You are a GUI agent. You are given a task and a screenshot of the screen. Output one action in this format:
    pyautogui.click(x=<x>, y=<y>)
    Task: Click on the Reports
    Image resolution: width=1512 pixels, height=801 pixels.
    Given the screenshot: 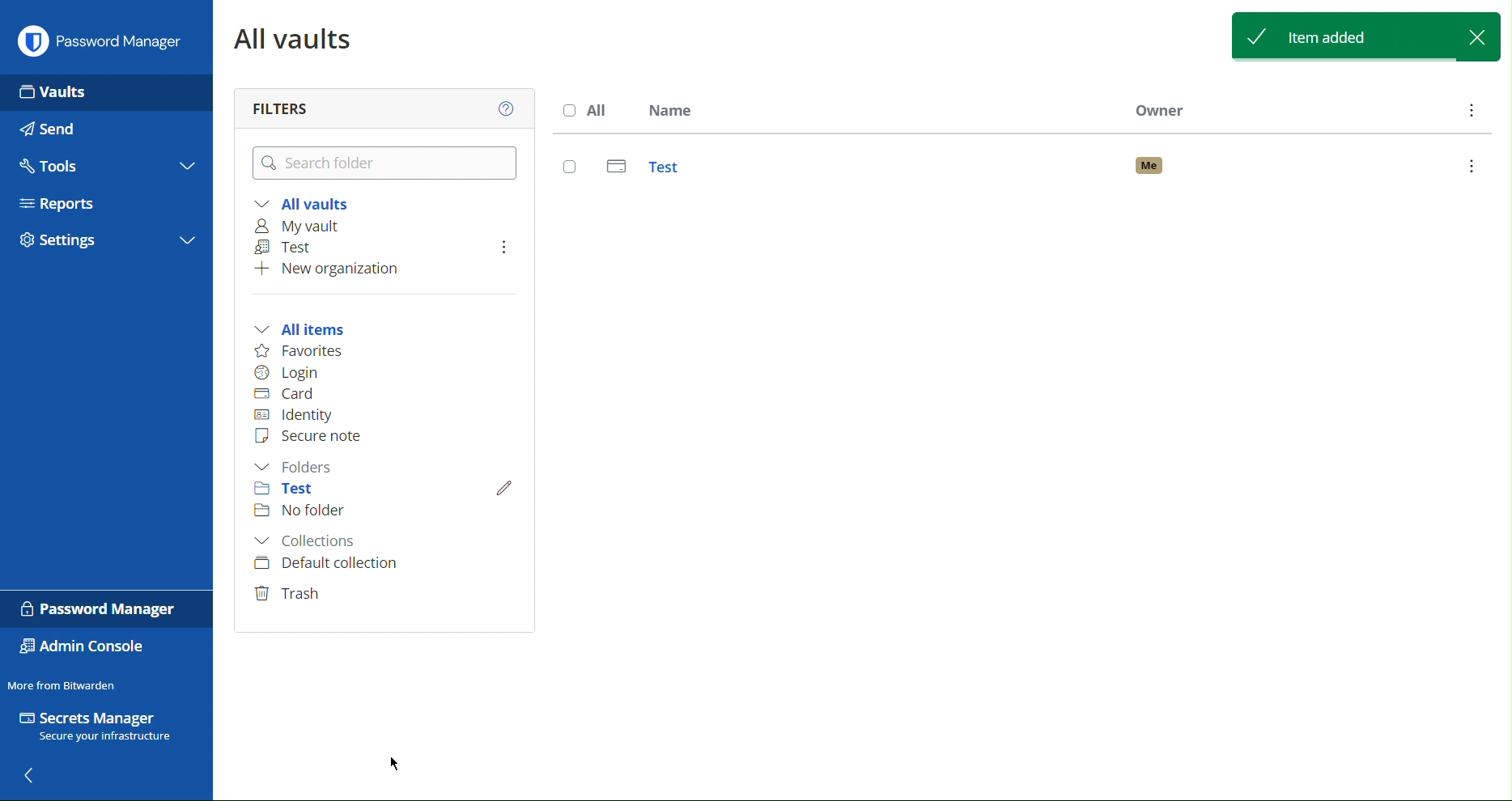 What is the action you would take?
    pyautogui.click(x=77, y=202)
    